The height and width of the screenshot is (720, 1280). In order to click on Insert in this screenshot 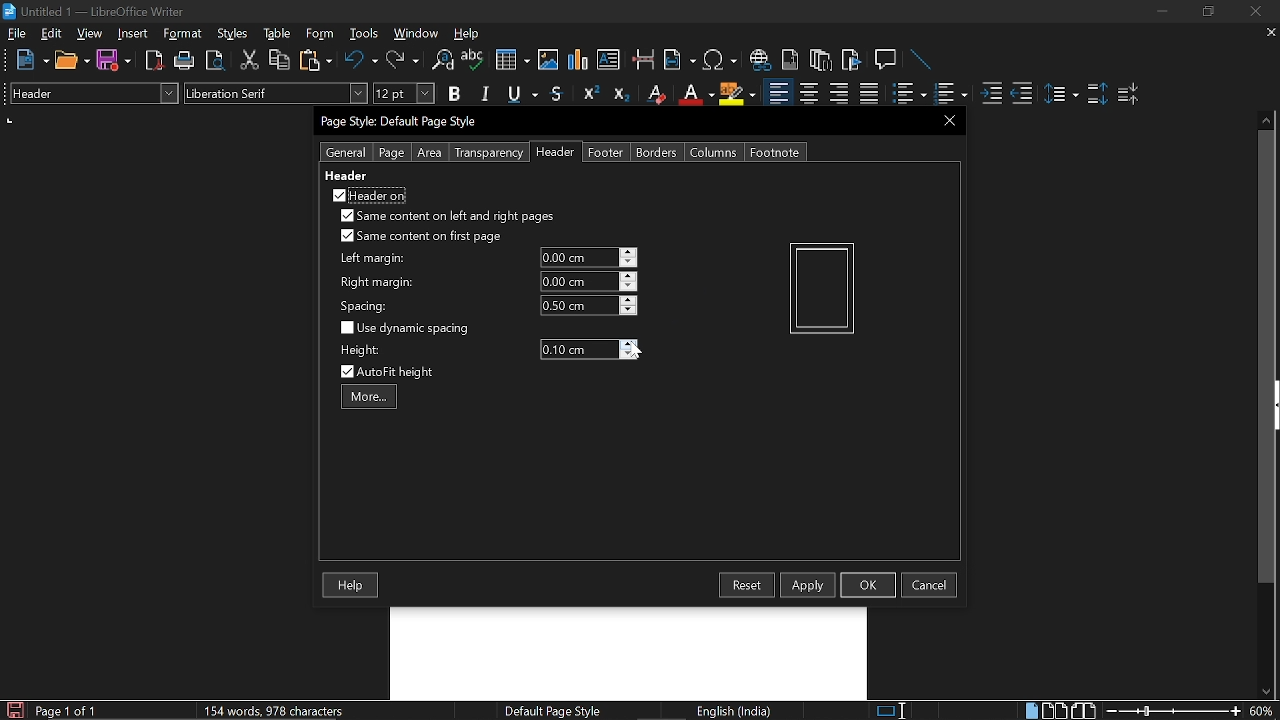, I will do `click(137, 33)`.